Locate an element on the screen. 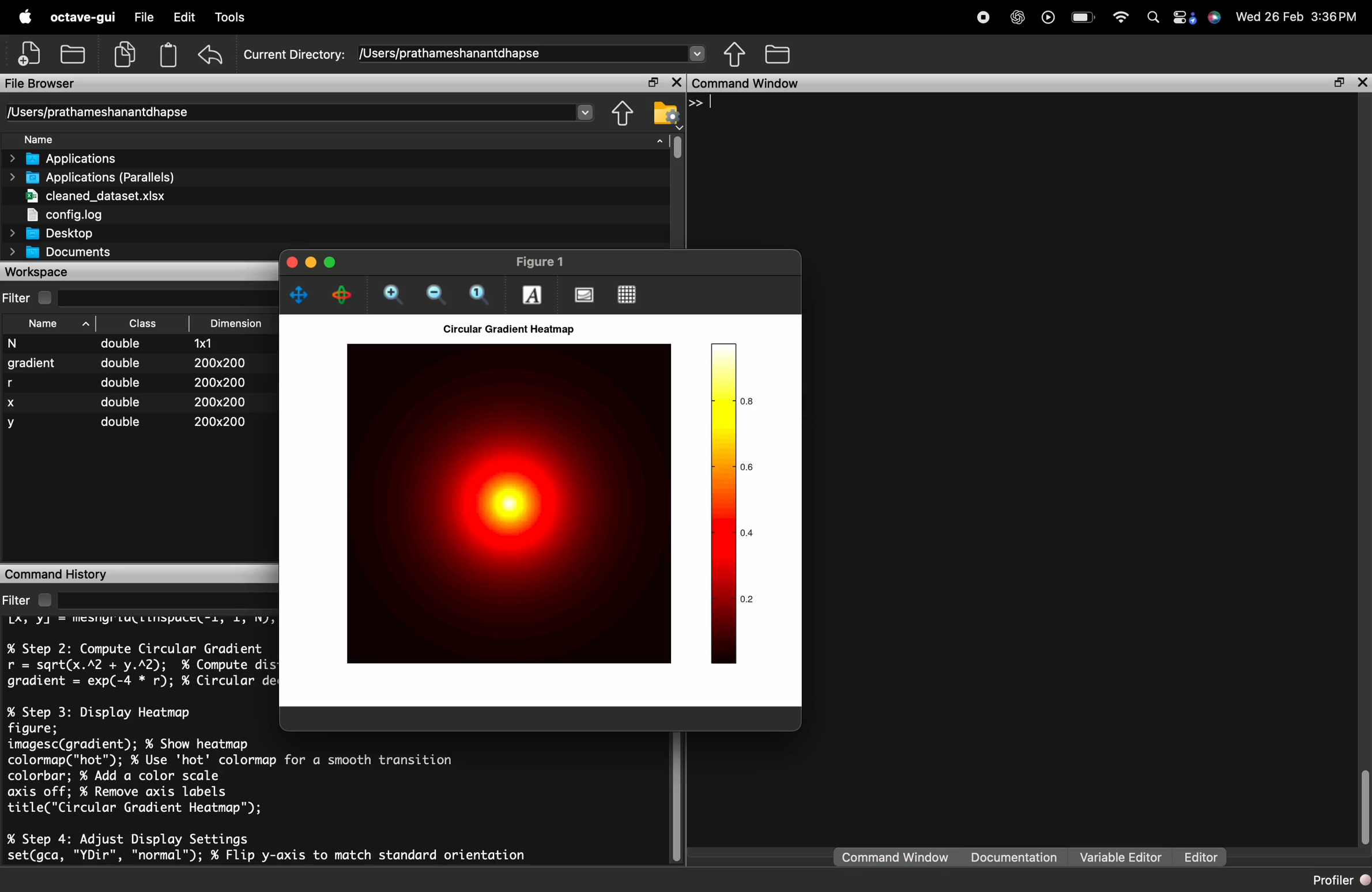 The height and width of the screenshot is (892, 1372). /Users/prathameshanantdhapse is located at coordinates (297, 112).